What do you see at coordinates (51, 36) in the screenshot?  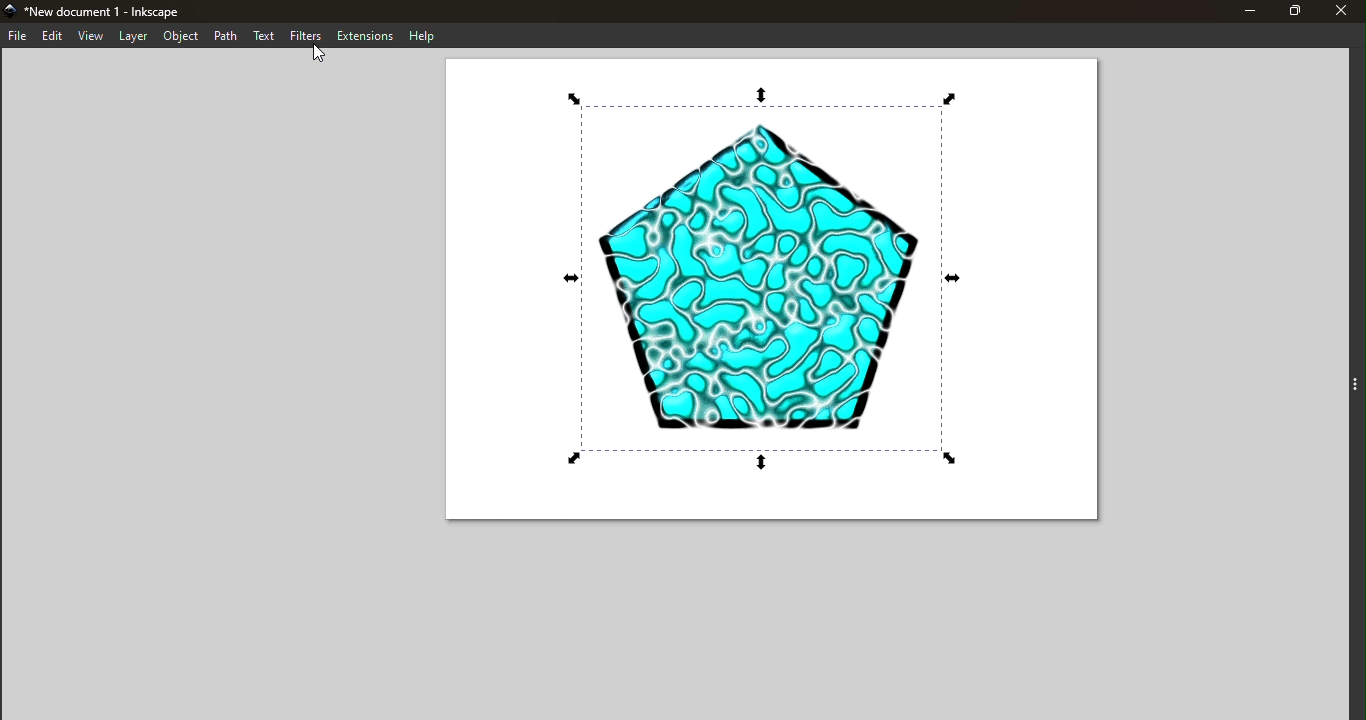 I see `Edit` at bounding box center [51, 36].